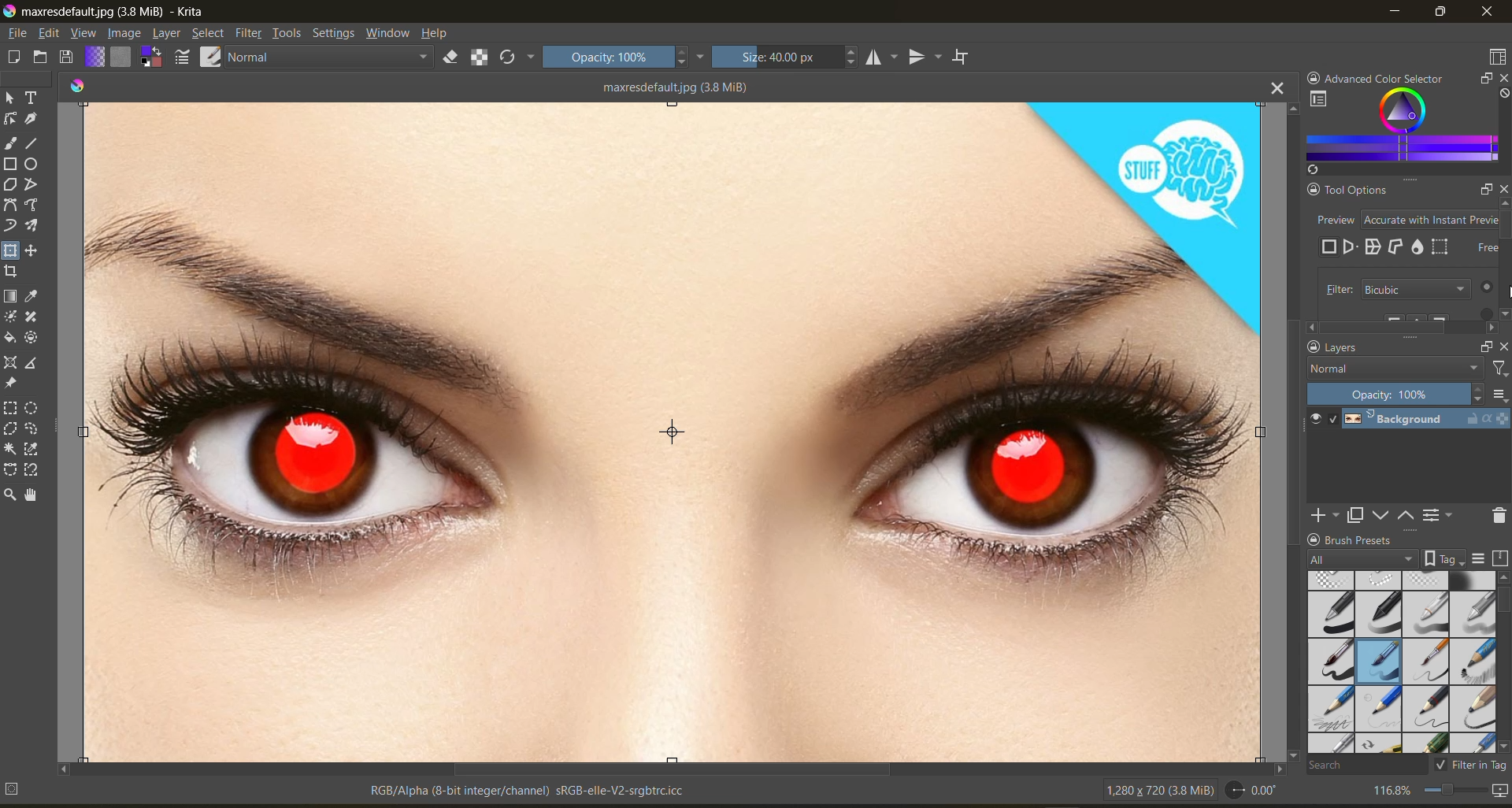 The image size is (1512, 808). What do you see at coordinates (1355, 514) in the screenshot?
I see `duplicate layer or mask` at bounding box center [1355, 514].